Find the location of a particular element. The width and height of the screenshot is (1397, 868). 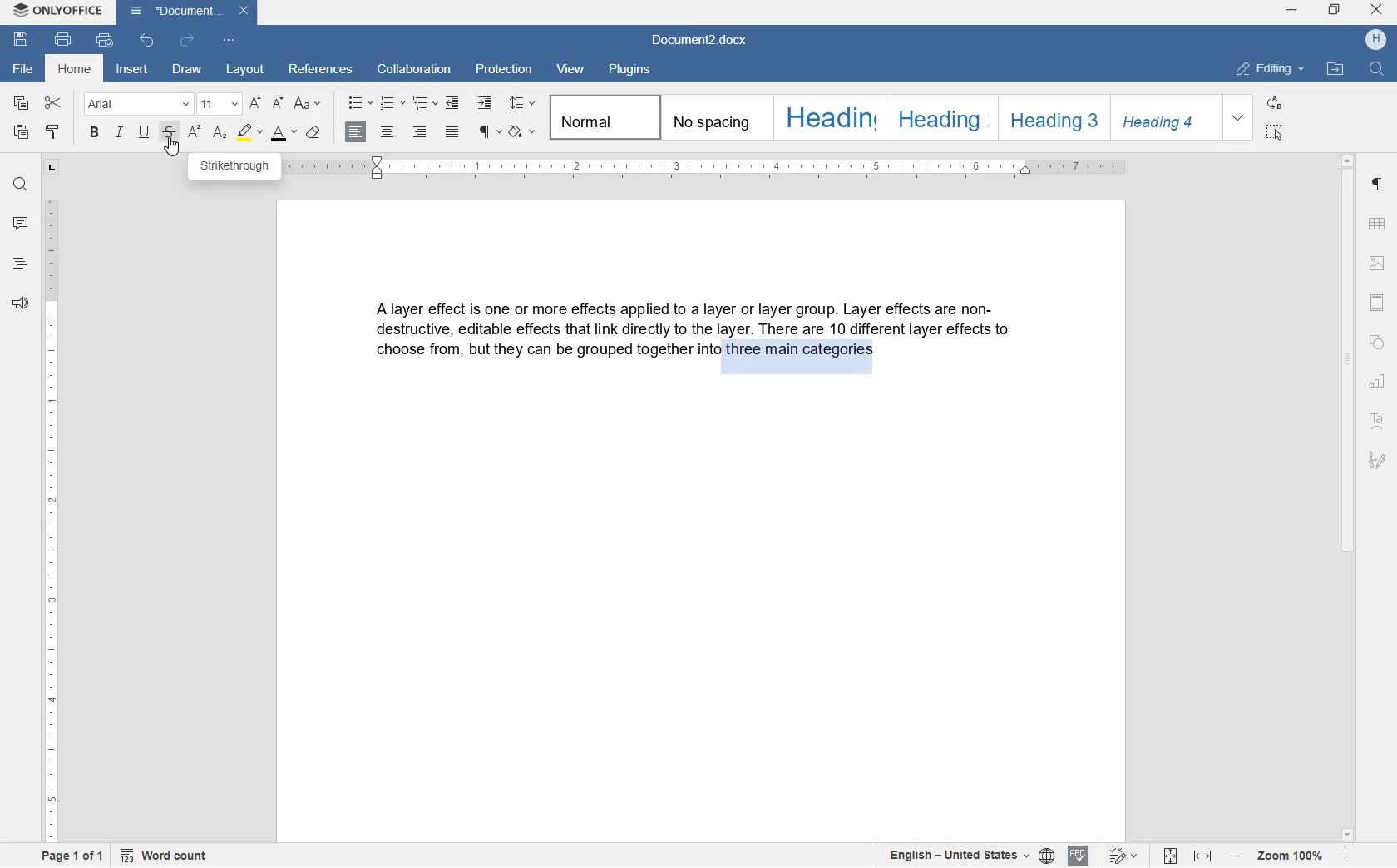

heading 2 is located at coordinates (939, 118).